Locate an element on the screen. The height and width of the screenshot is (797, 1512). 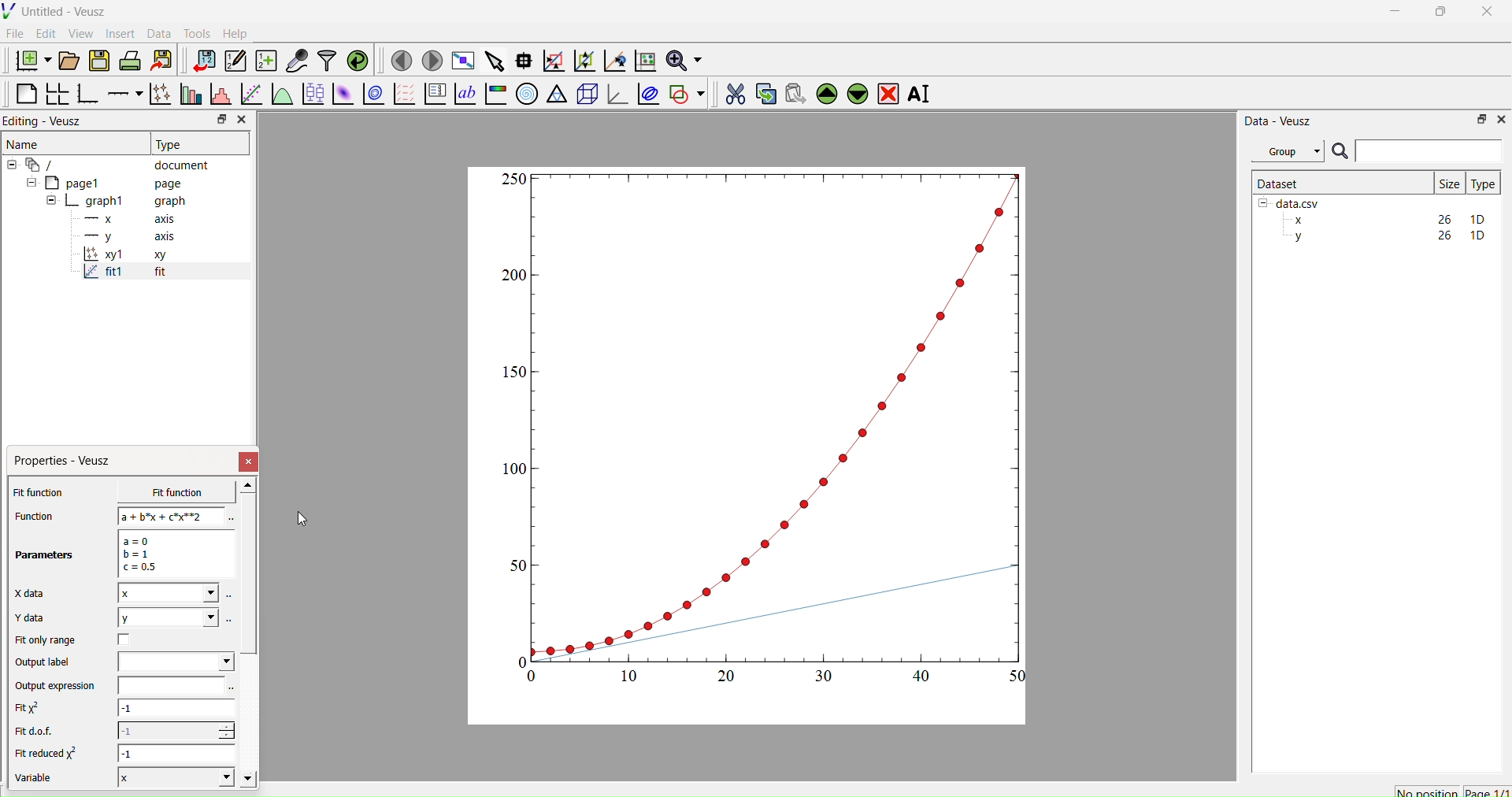
Copy is located at coordinates (762, 92).